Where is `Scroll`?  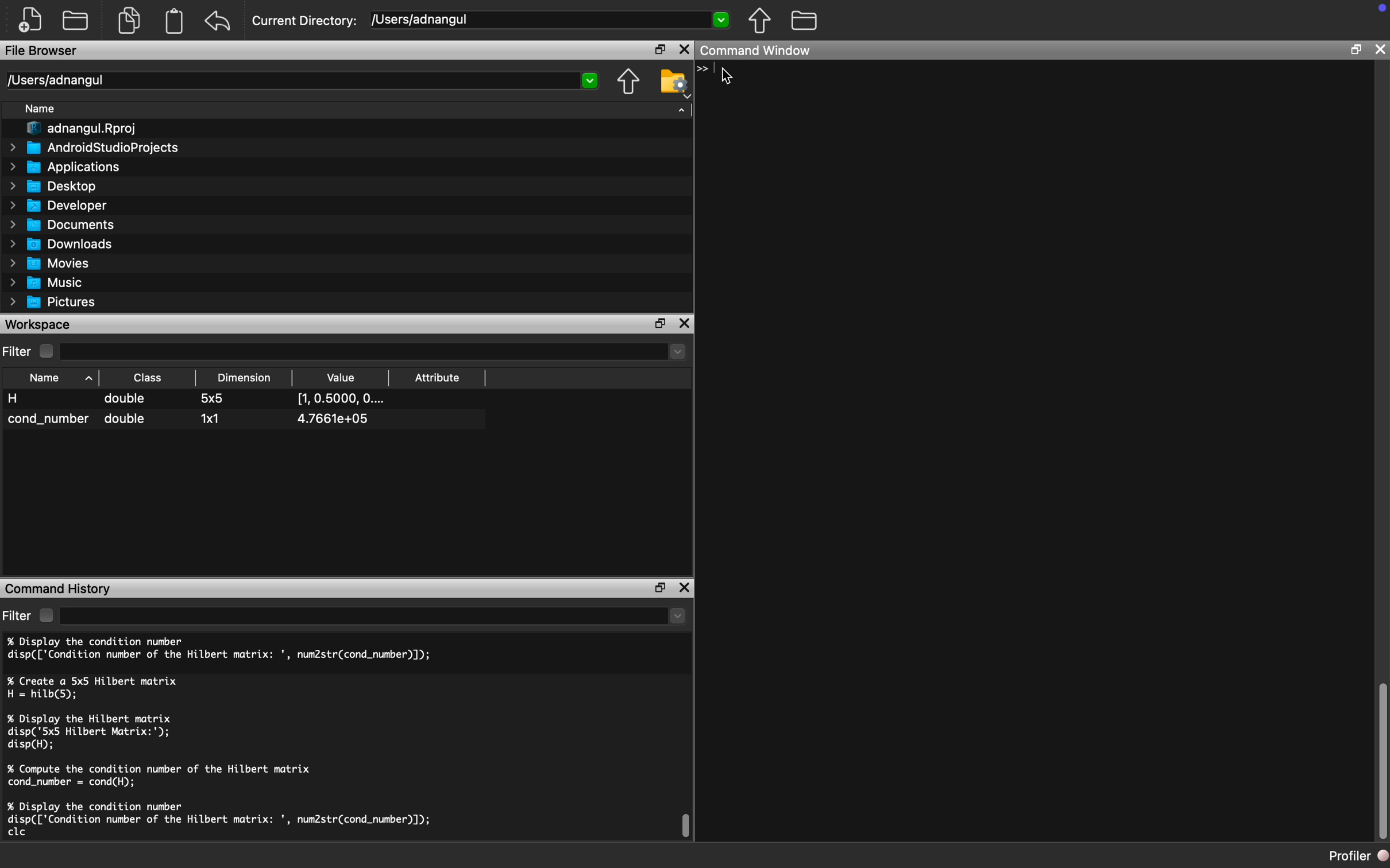
Scroll is located at coordinates (687, 827).